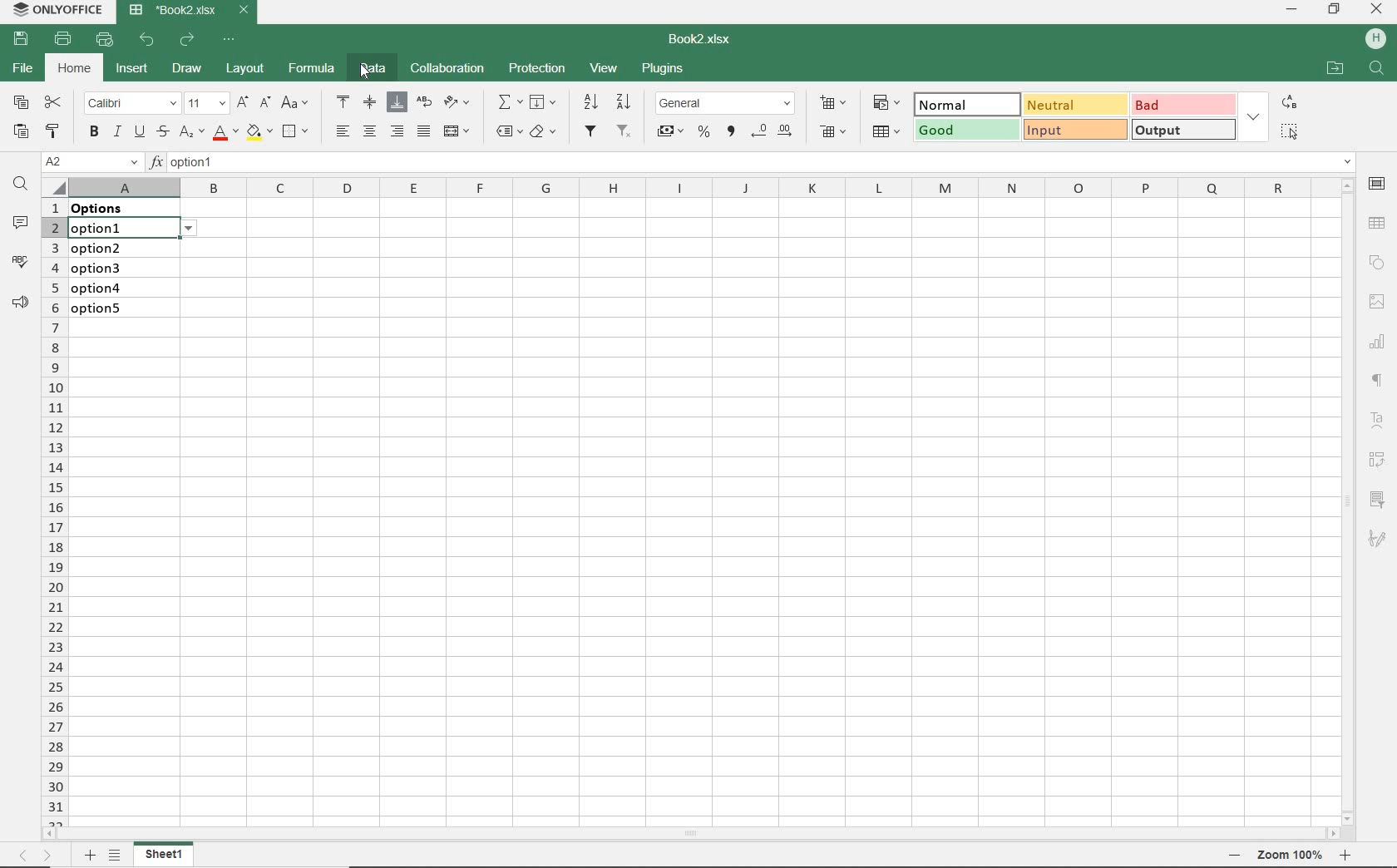 The width and height of the screenshot is (1397, 868). I want to click on SORT ASCENDING, so click(624, 101).